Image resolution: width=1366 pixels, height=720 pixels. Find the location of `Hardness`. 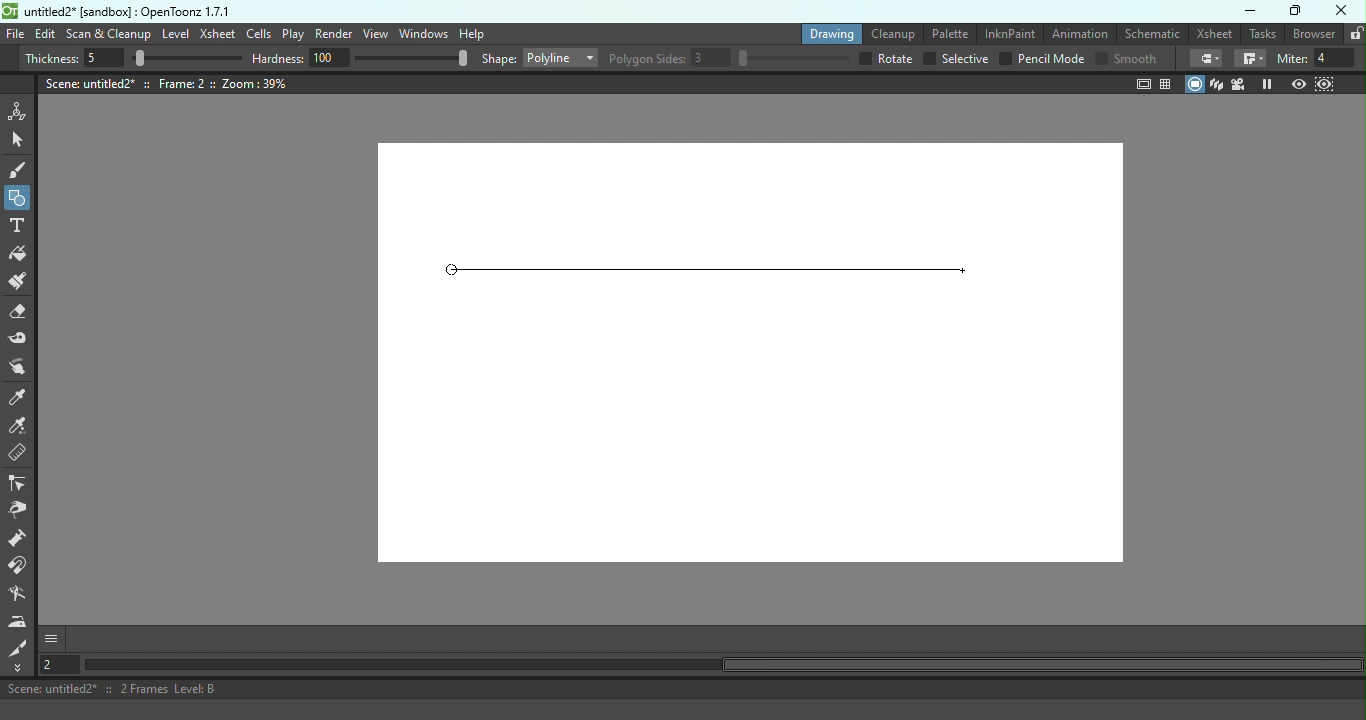

Hardness is located at coordinates (361, 59).